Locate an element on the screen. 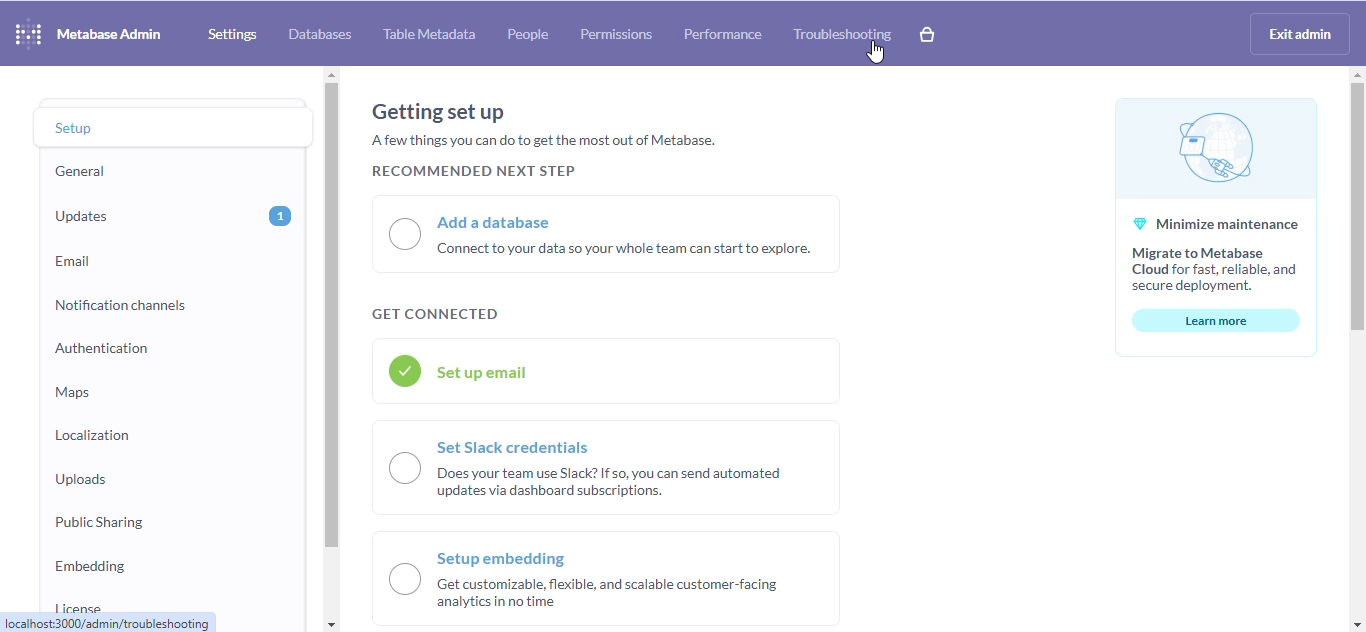  settings is located at coordinates (232, 35).